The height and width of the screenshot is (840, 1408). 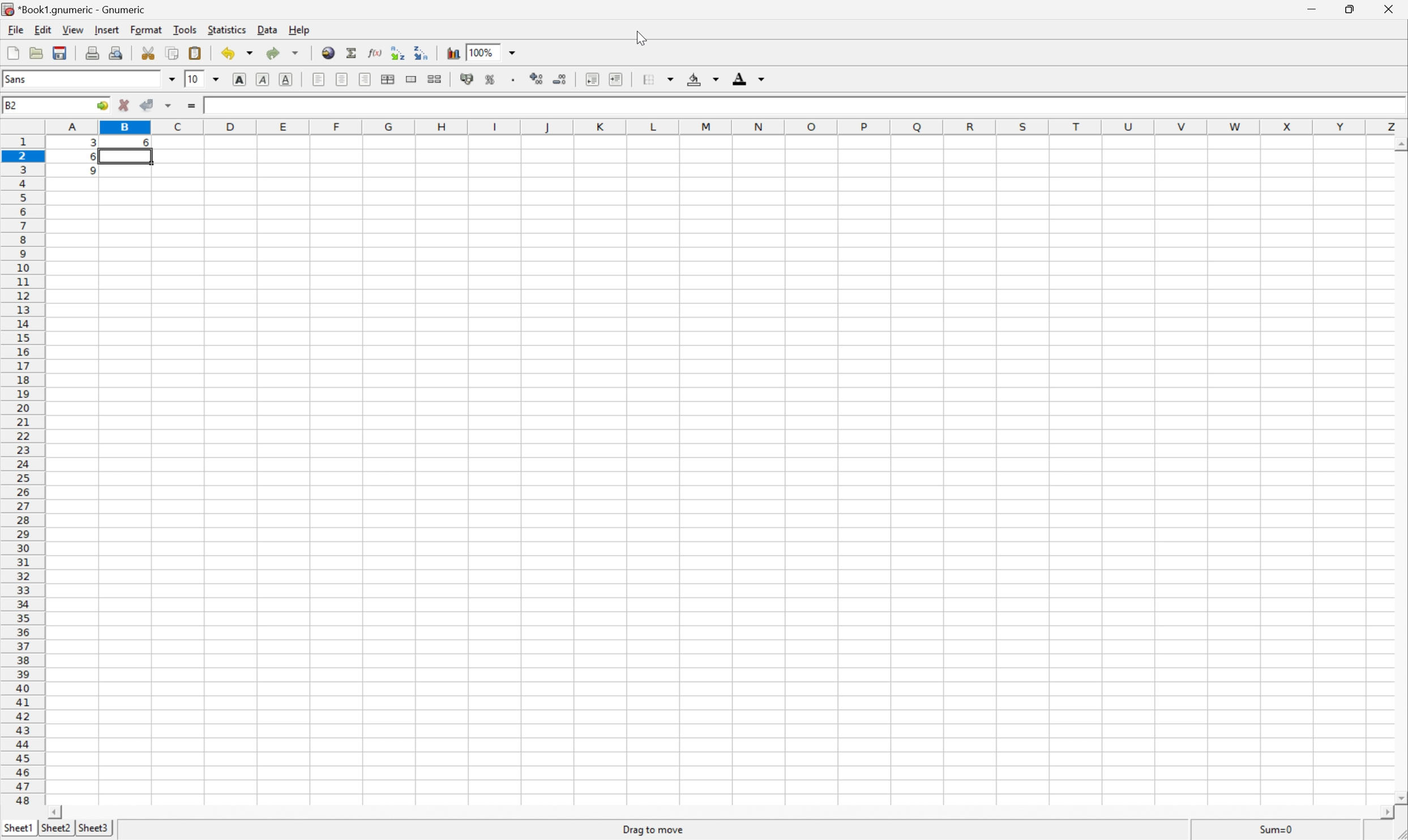 I want to click on Scroll Left, so click(x=55, y=811).